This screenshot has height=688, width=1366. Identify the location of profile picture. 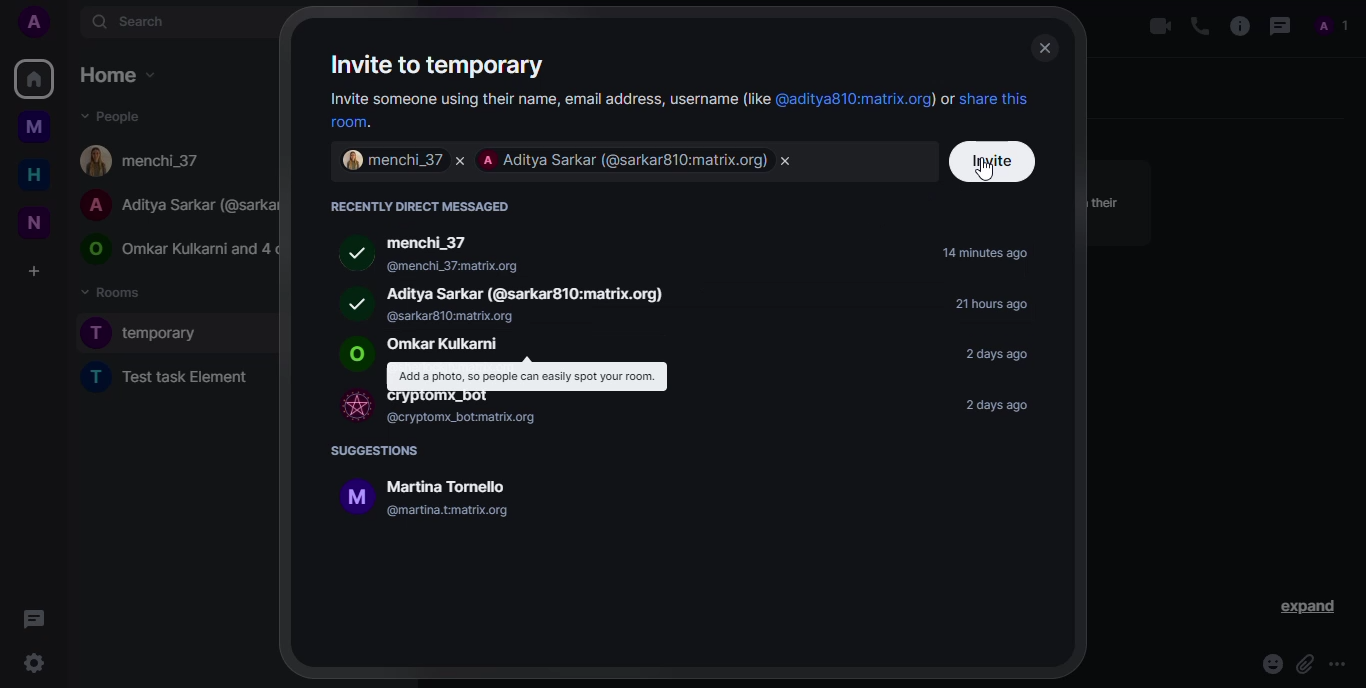
(350, 302).